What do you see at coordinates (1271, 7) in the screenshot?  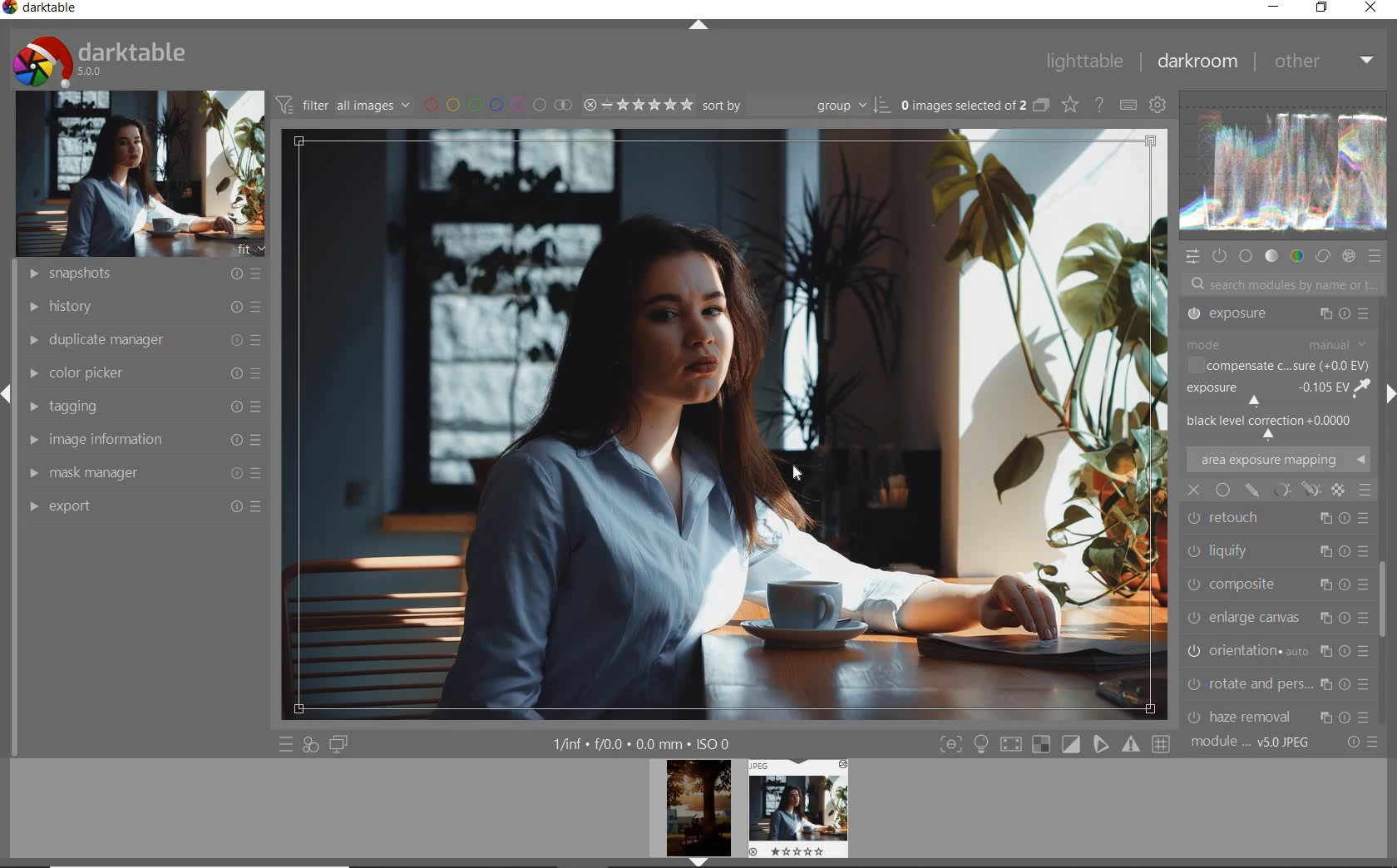 I see `MINIMIZE` at bounding box center [1271, 7].